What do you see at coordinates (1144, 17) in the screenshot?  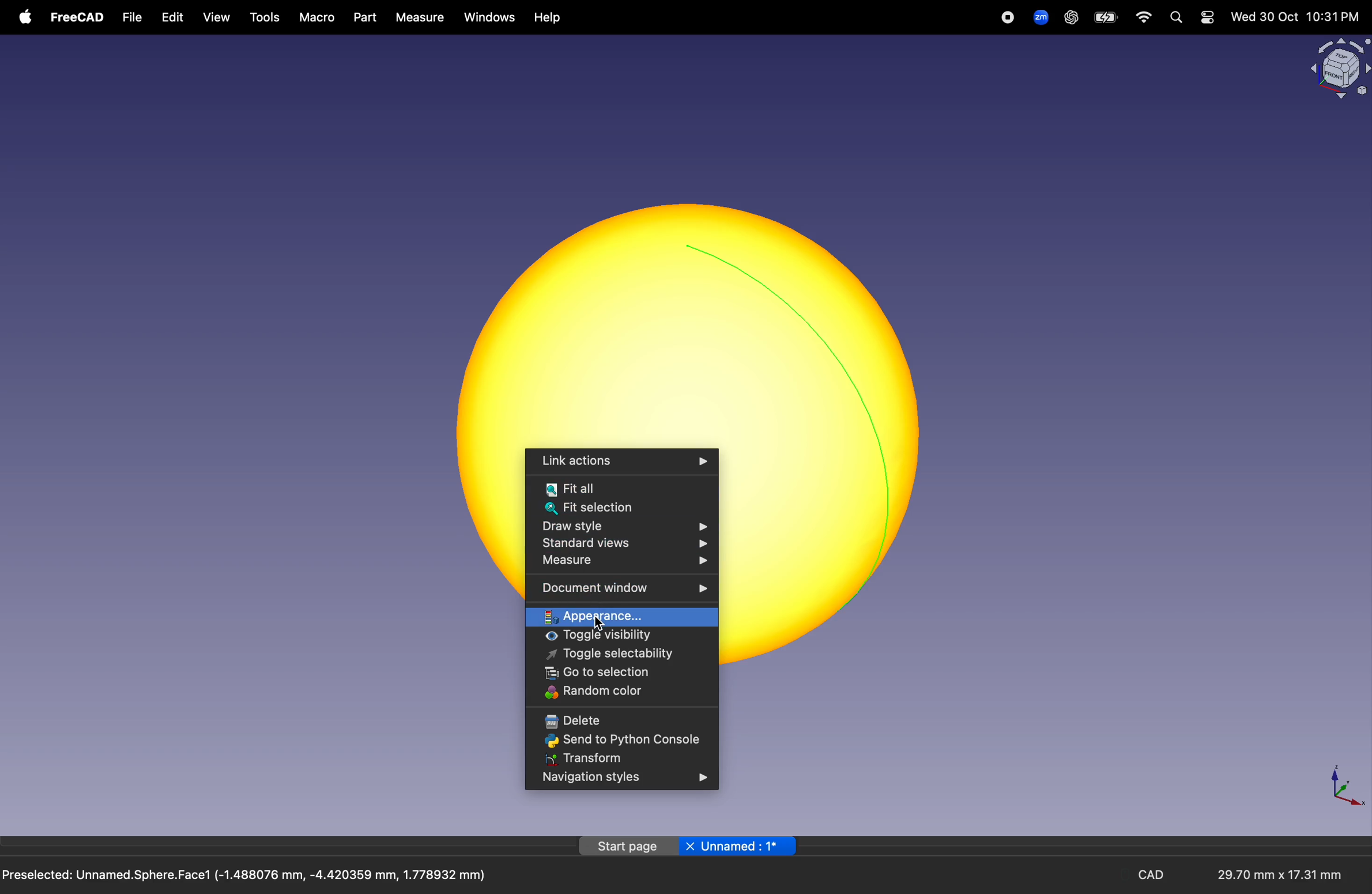 I see `wifi` at bounding box center [1144, 17].